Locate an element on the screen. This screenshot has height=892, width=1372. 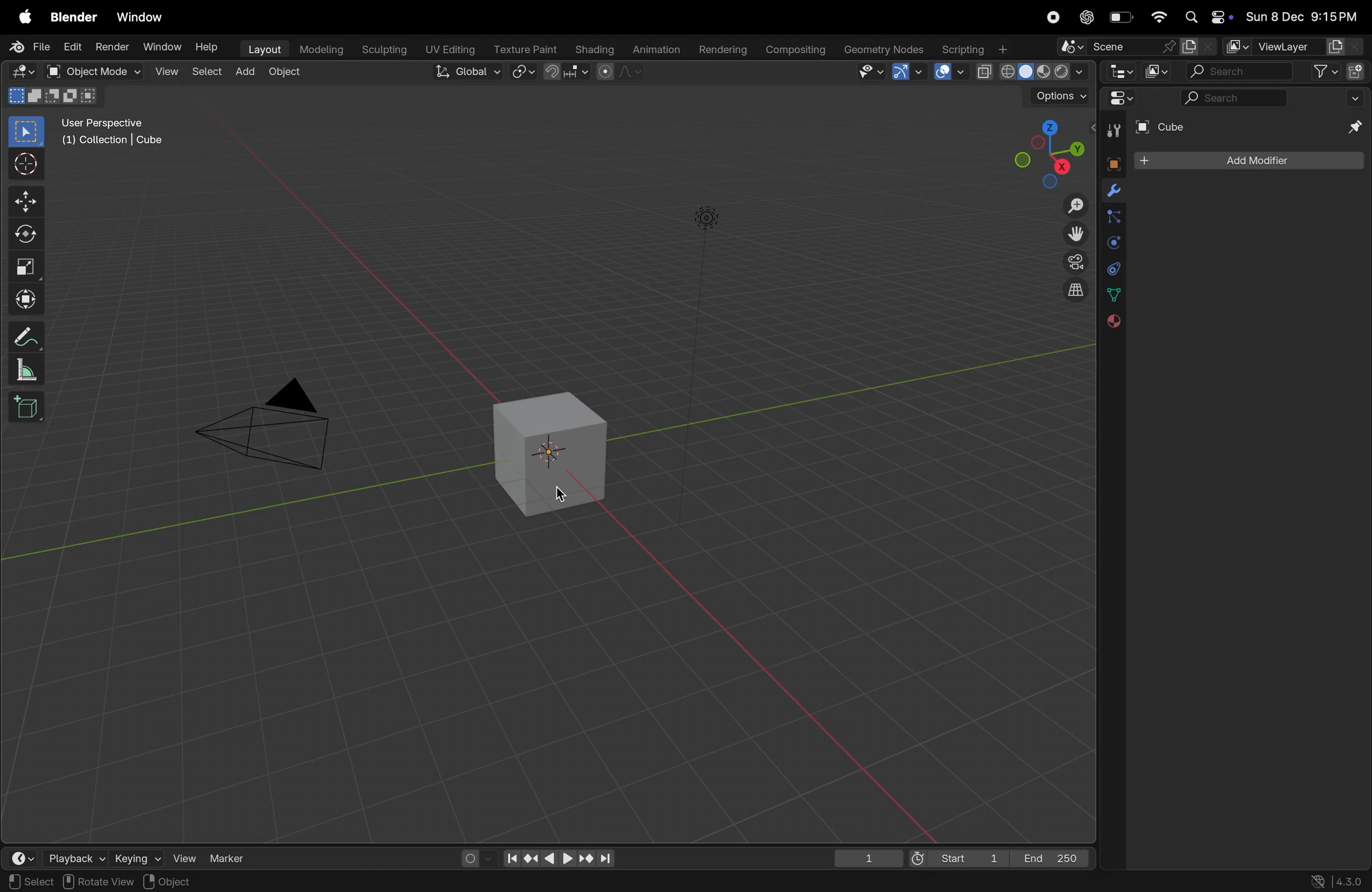
view is located at coordinates (167, 73).